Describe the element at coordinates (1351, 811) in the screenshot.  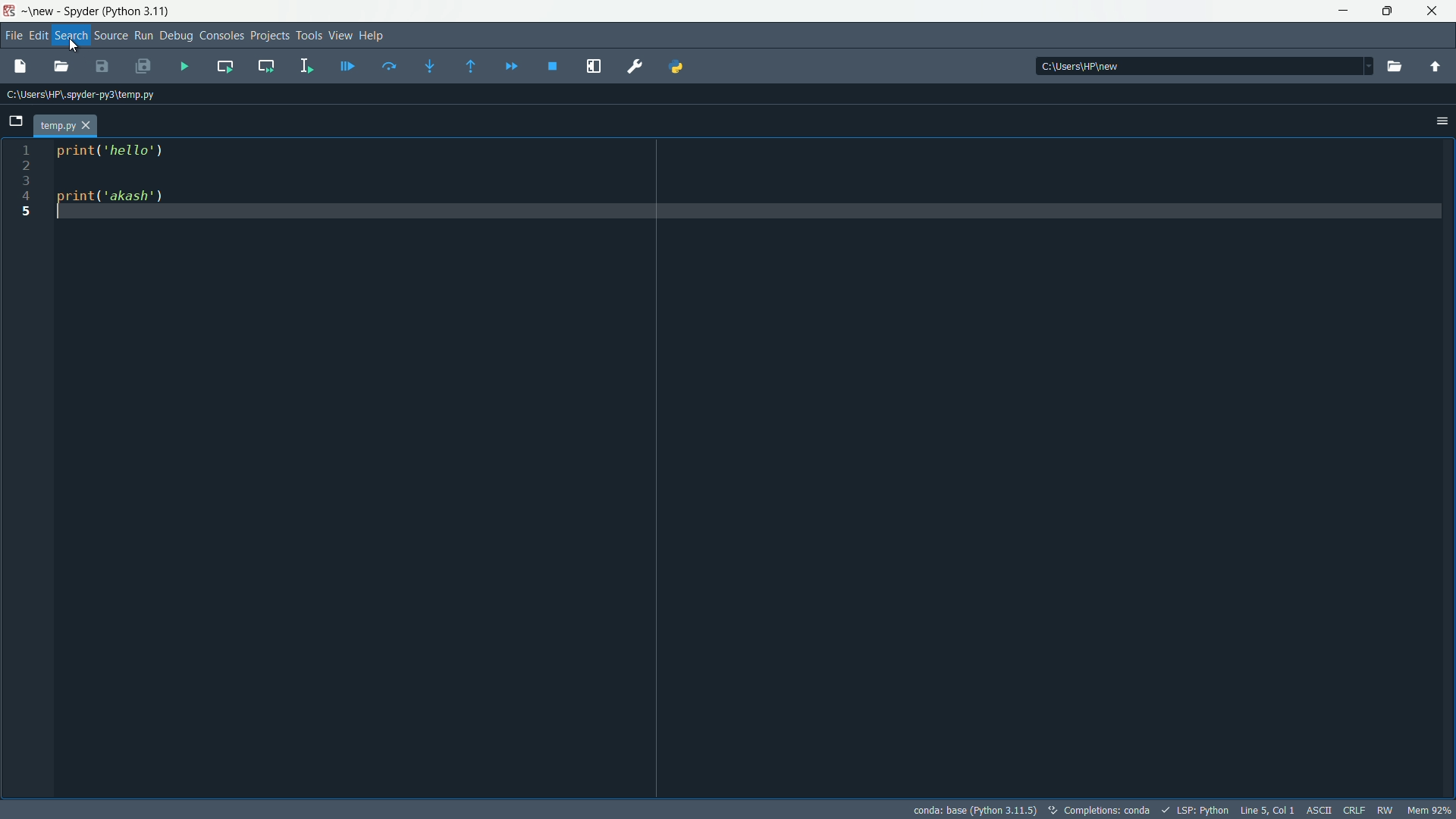
I see `CRLF` at that location.